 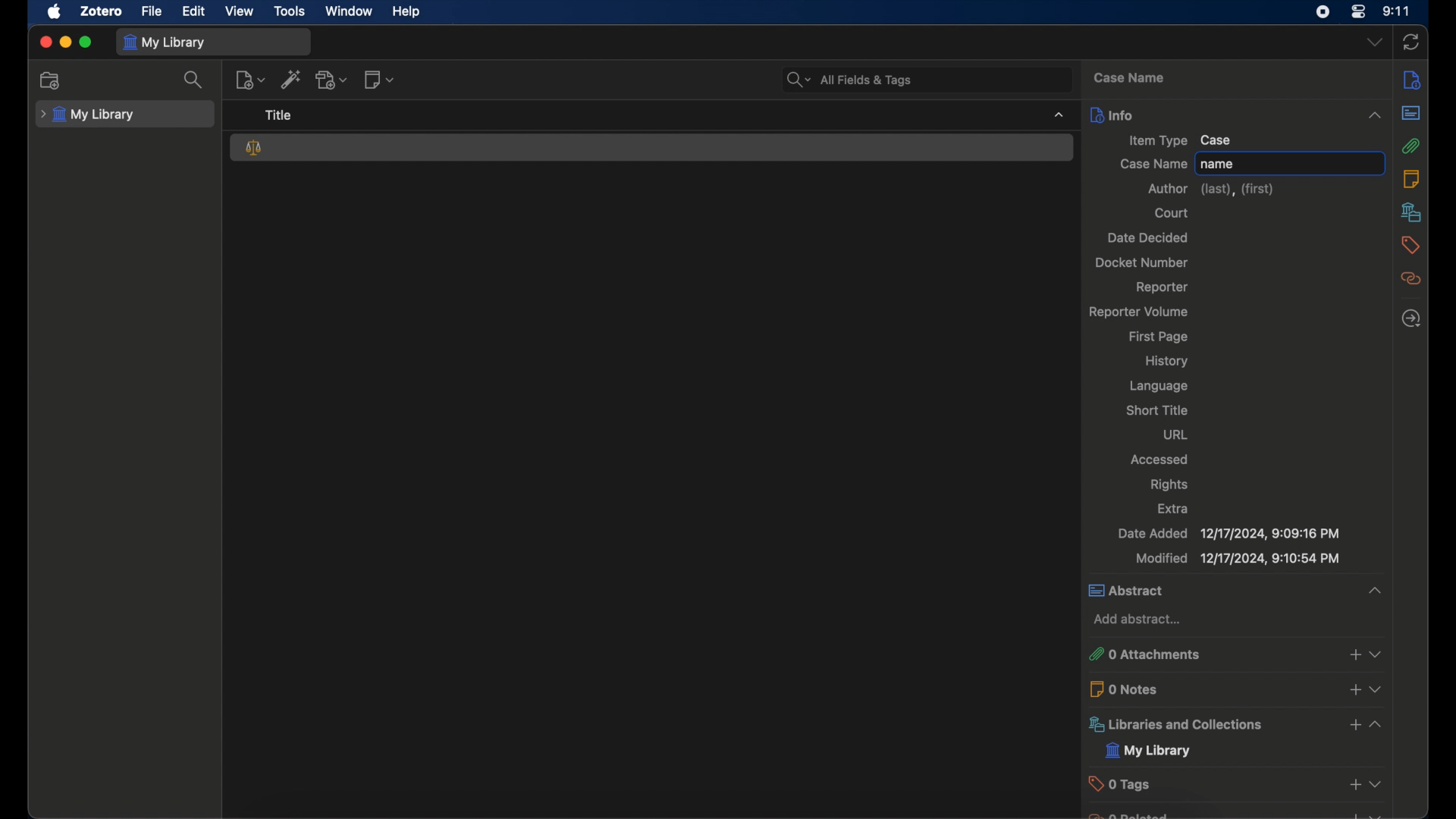 I want to click on window, so click(x=350, y=11).